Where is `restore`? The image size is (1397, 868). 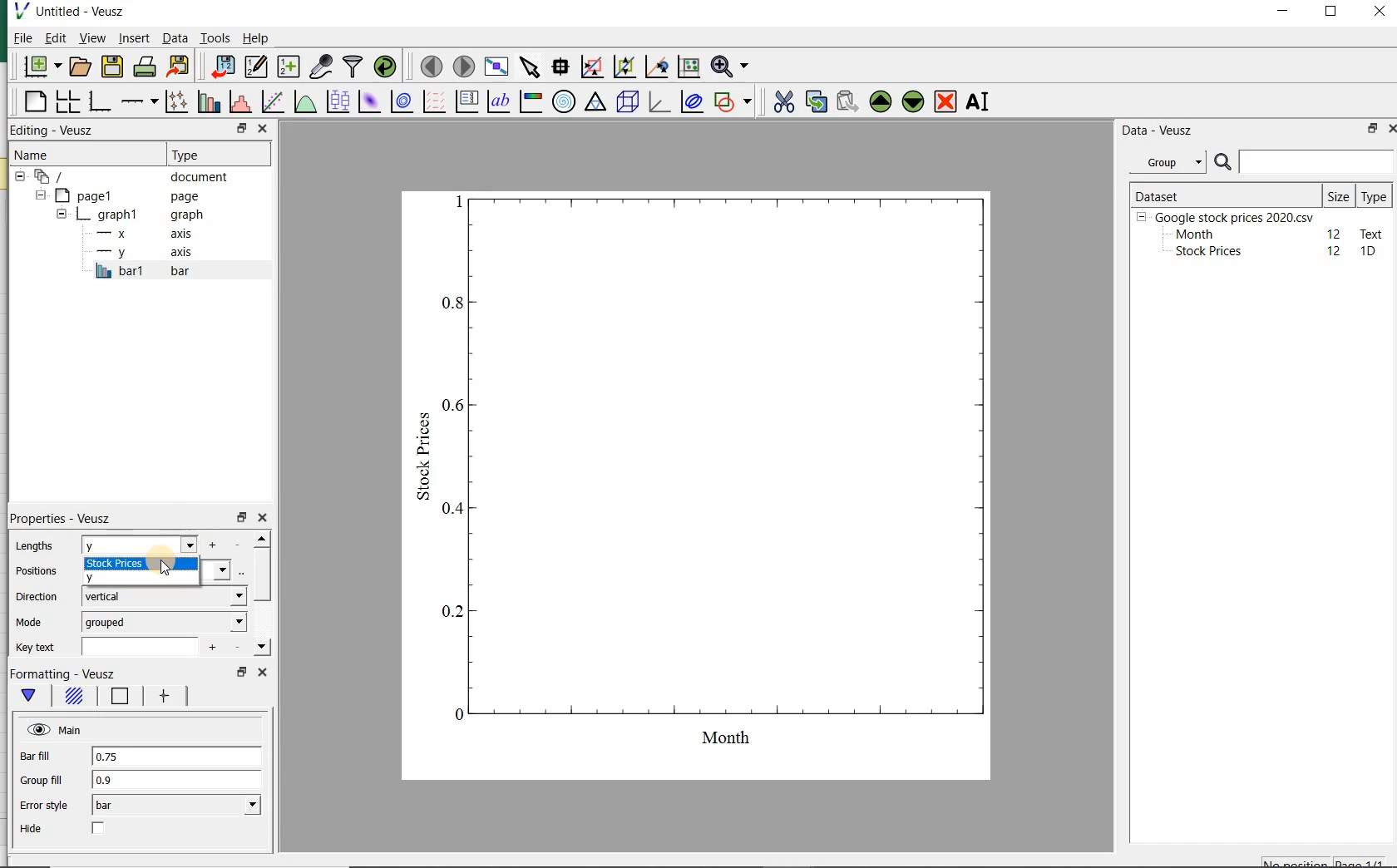 restore is located at coordinates (1370, 130).